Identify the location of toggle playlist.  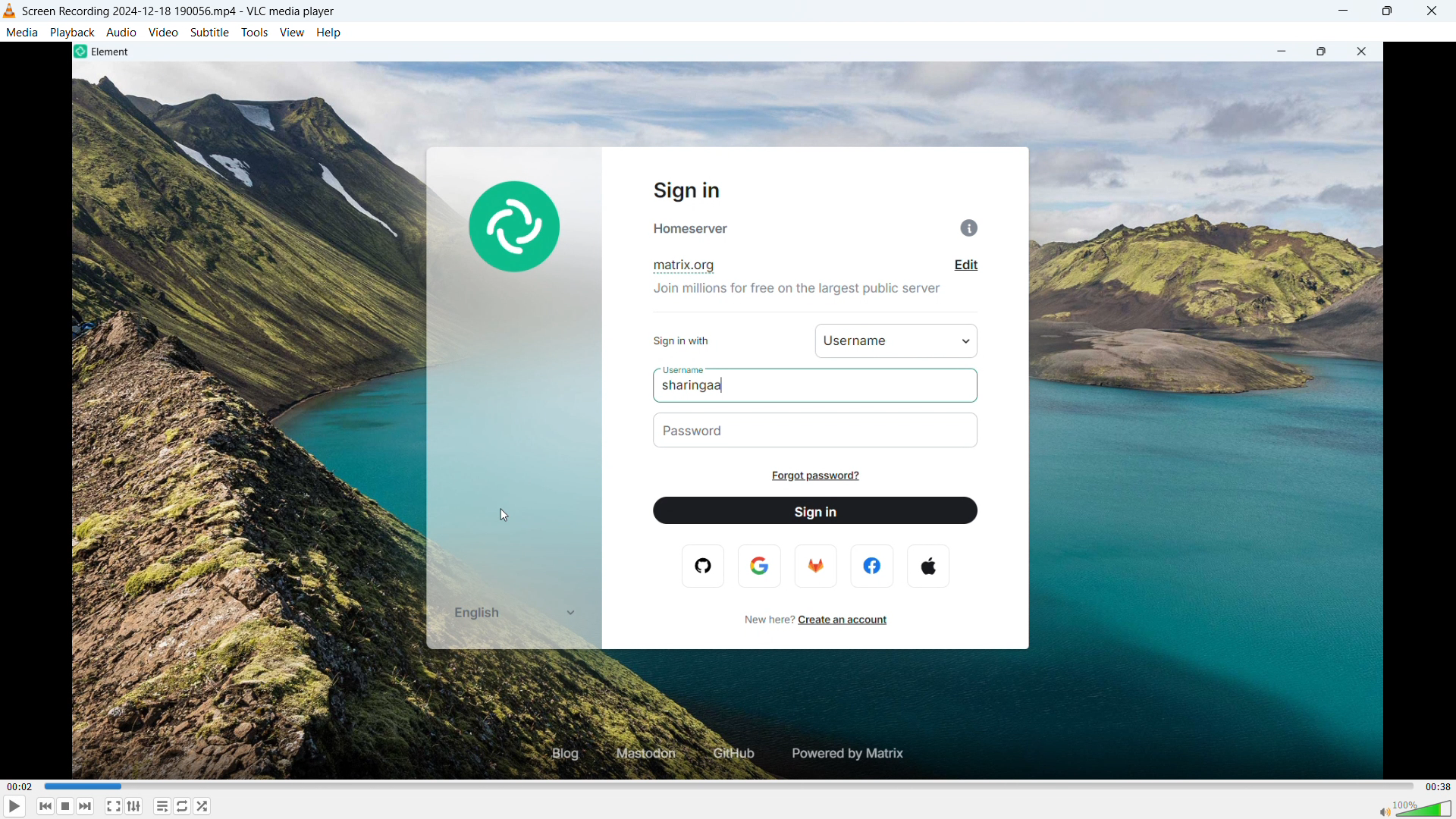
(162, 805).